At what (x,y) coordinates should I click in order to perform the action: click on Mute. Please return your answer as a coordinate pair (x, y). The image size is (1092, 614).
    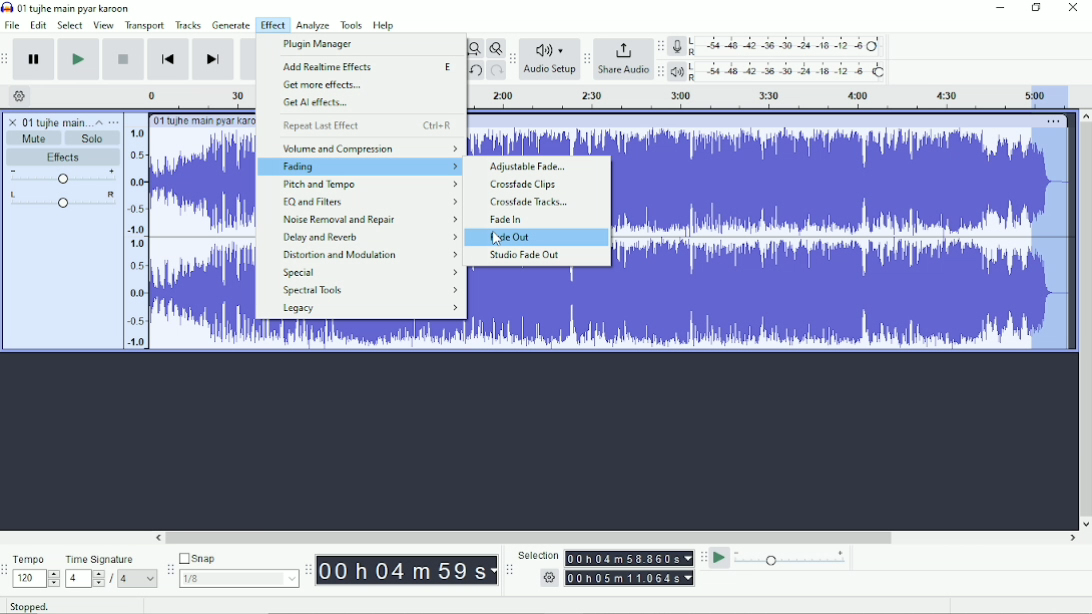
    Looking at the image, I should click on (34, 139).